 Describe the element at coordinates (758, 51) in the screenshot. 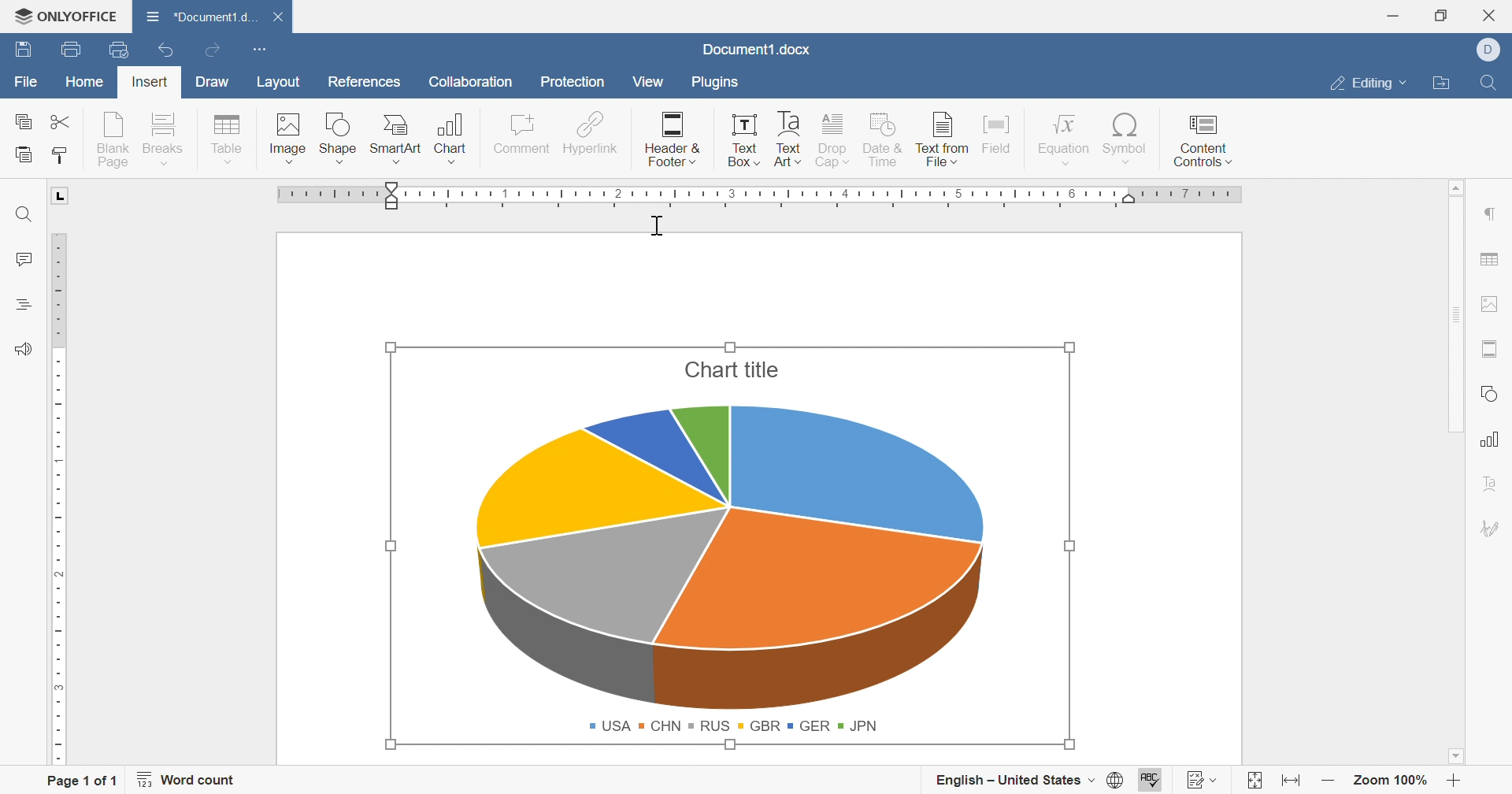

I see `Document1.dox` at that location.